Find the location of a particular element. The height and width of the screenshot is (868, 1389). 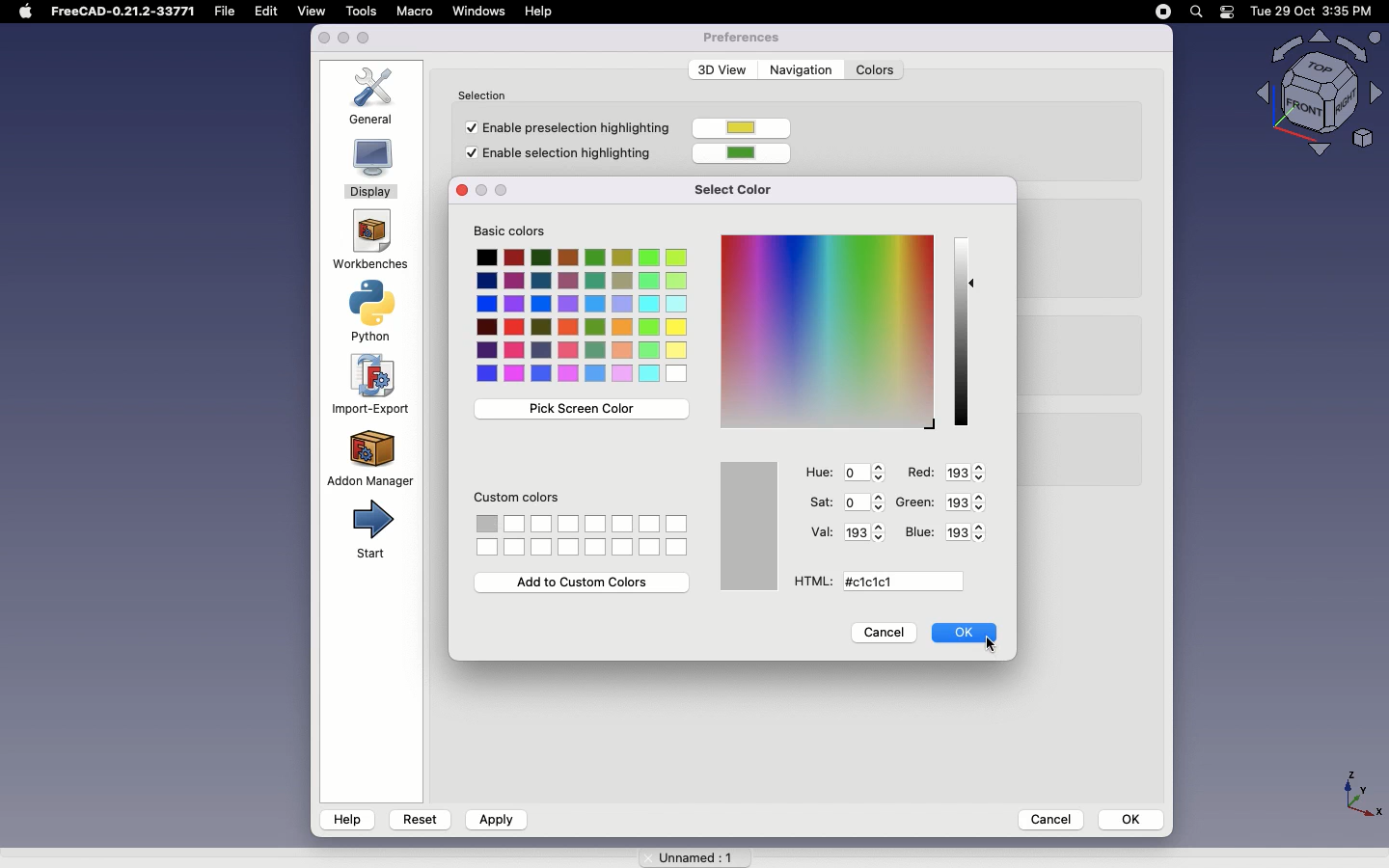

Add to custom colors is located at coordinates (585, 583).